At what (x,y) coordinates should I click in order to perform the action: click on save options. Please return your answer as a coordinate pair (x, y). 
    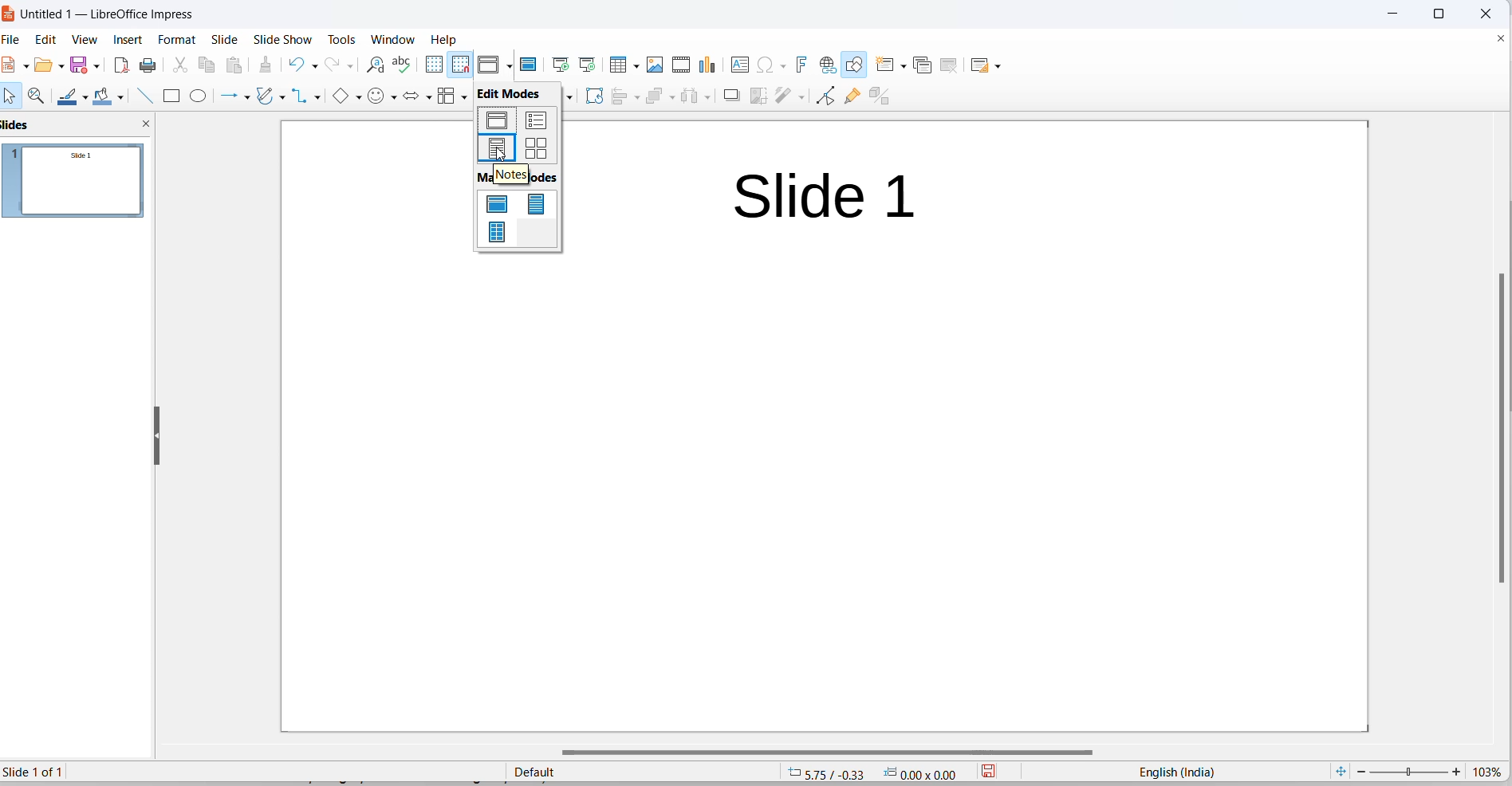
    Looking at the image, I should click on (96, 65).